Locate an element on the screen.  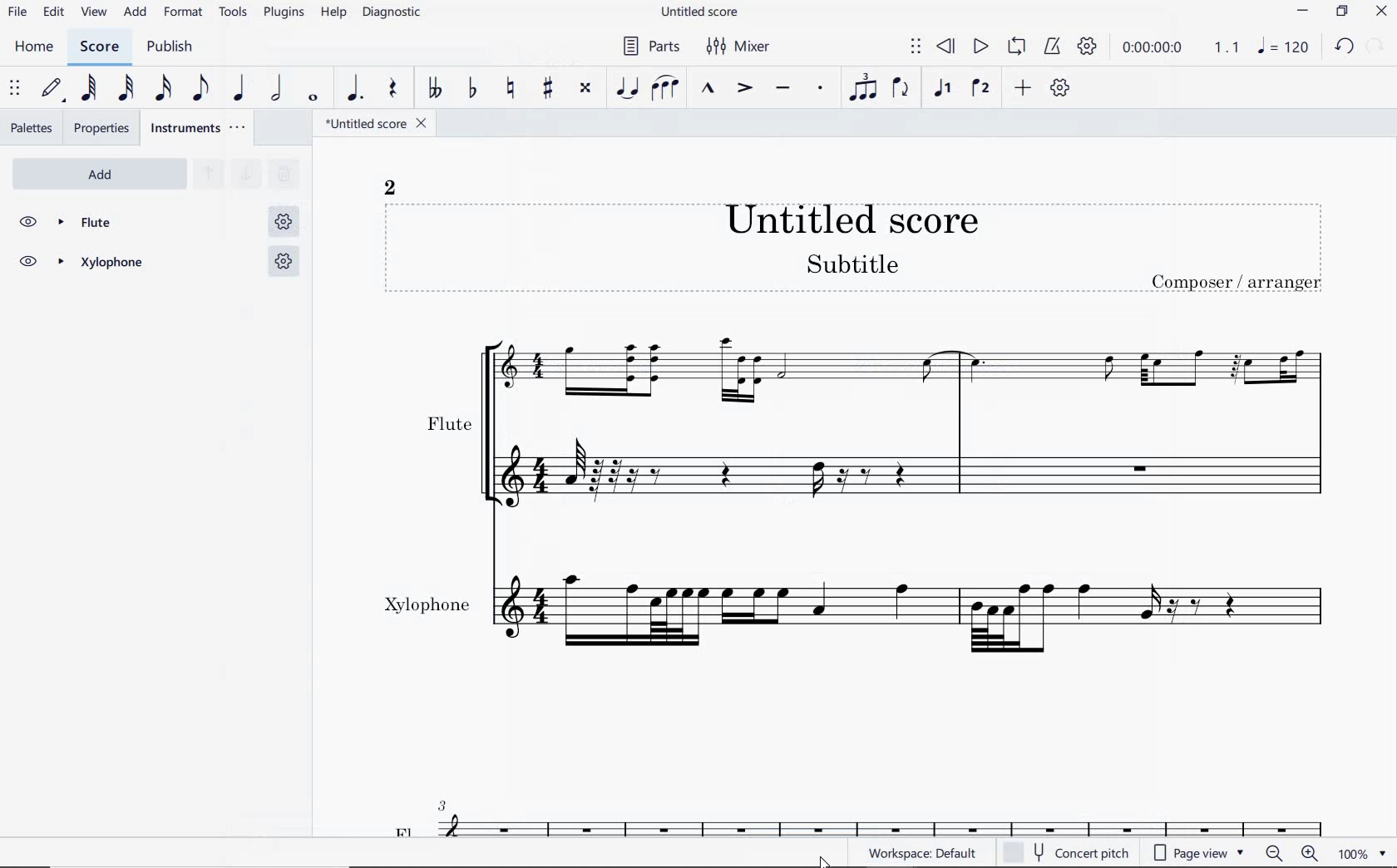
VOICE 2 is located at coordinates (979, 89).